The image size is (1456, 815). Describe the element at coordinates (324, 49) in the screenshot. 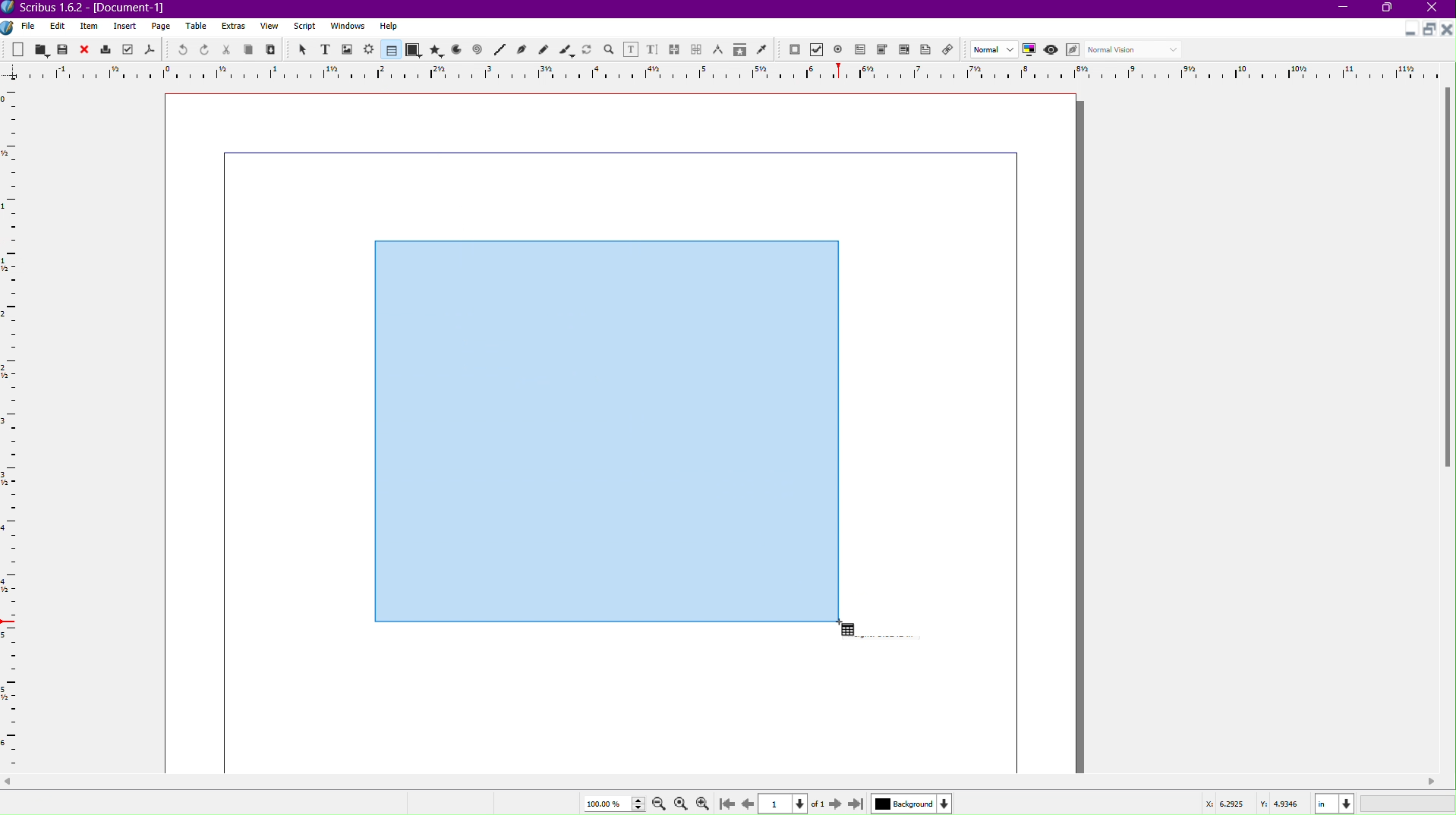

I see `Text Frame` at that location.